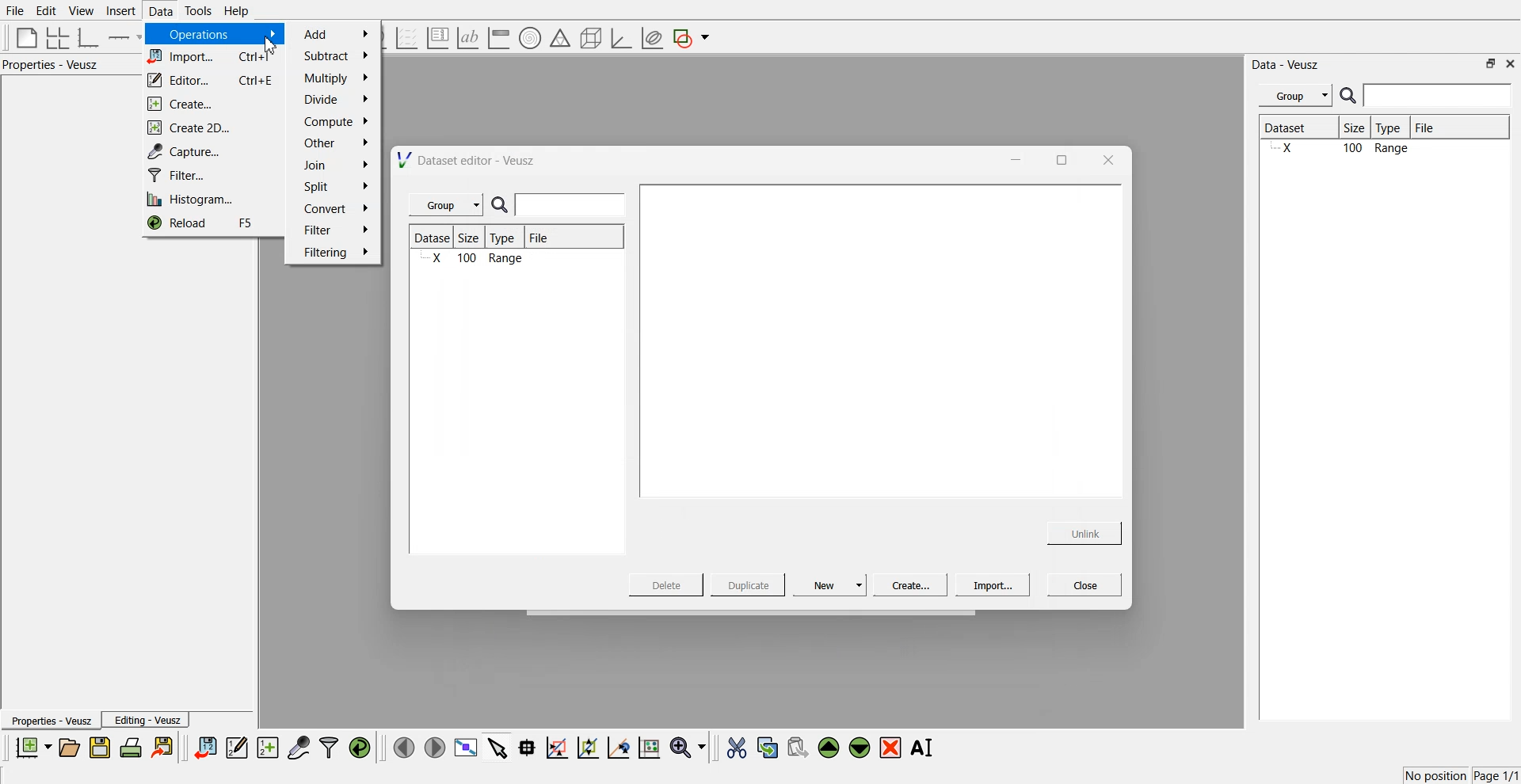 This screenshot has height=784, width=1521. What do you see at coordinates (408, 38) in the screenshot?
I see `plot a vector set` at bounding box center [408, 38].